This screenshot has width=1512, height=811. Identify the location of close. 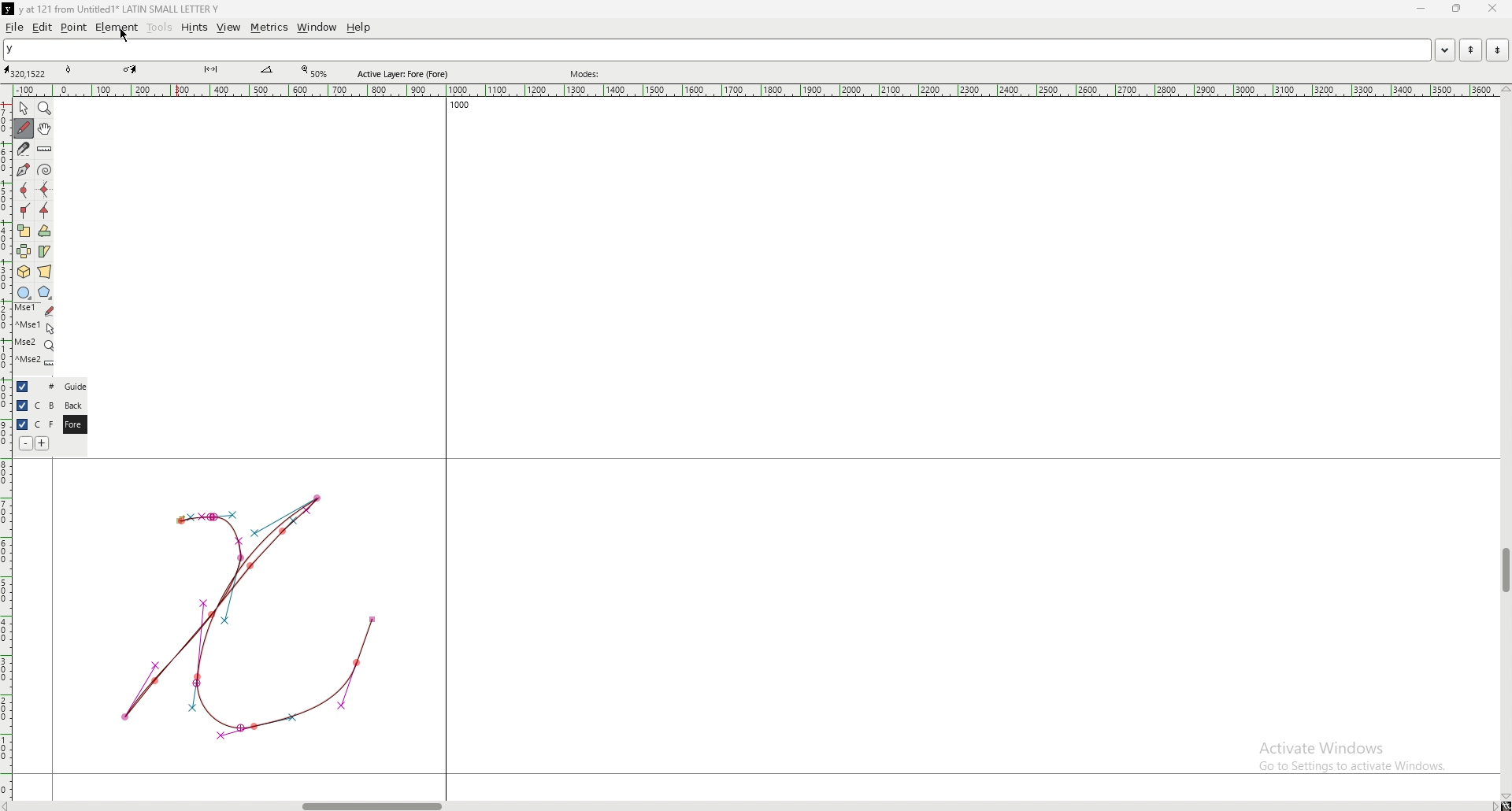
(1491, 9).